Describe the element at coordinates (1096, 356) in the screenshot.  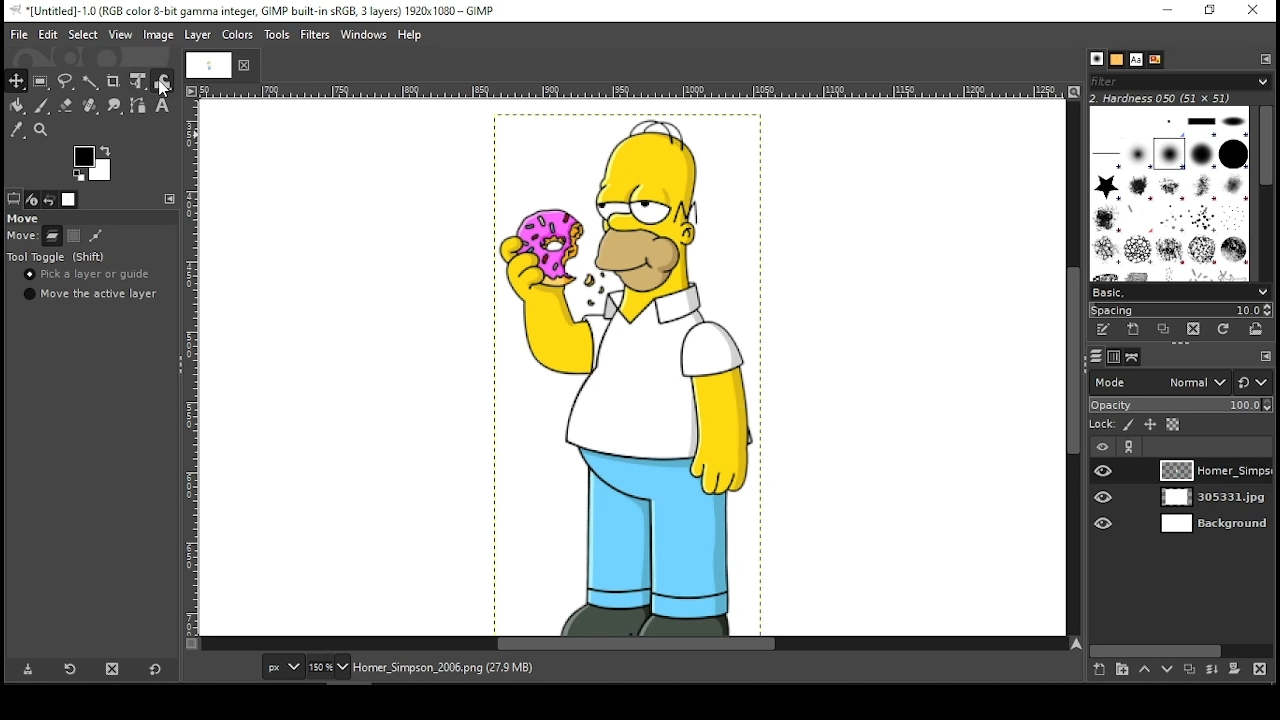
I see `layers` at that location.